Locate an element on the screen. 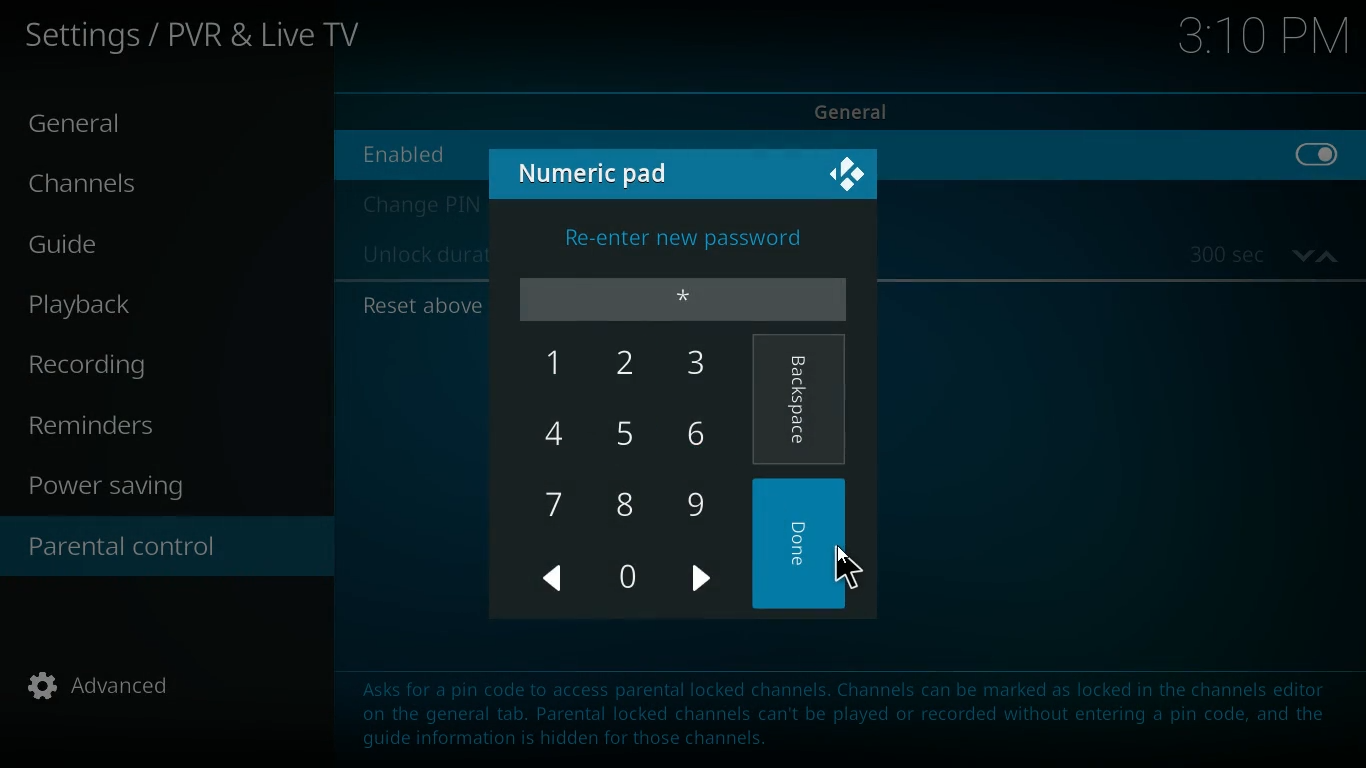 Image resolution: width=1366 pixels, height=768 pixels. channels is located at coordinates (101, 188).